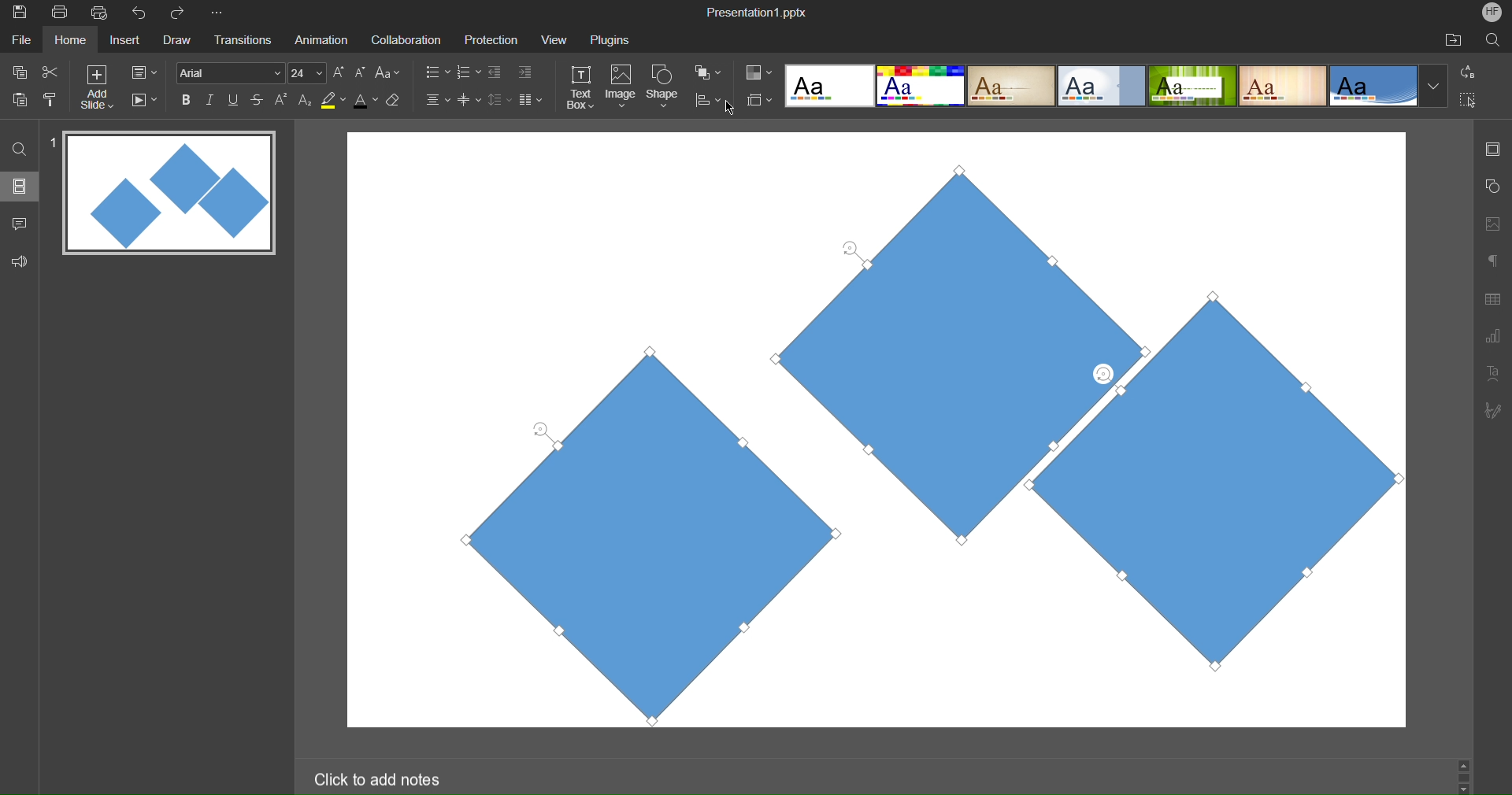 The width and height of the screenshot is (1512, 795). I want to click on Account, so click(1492, 12).